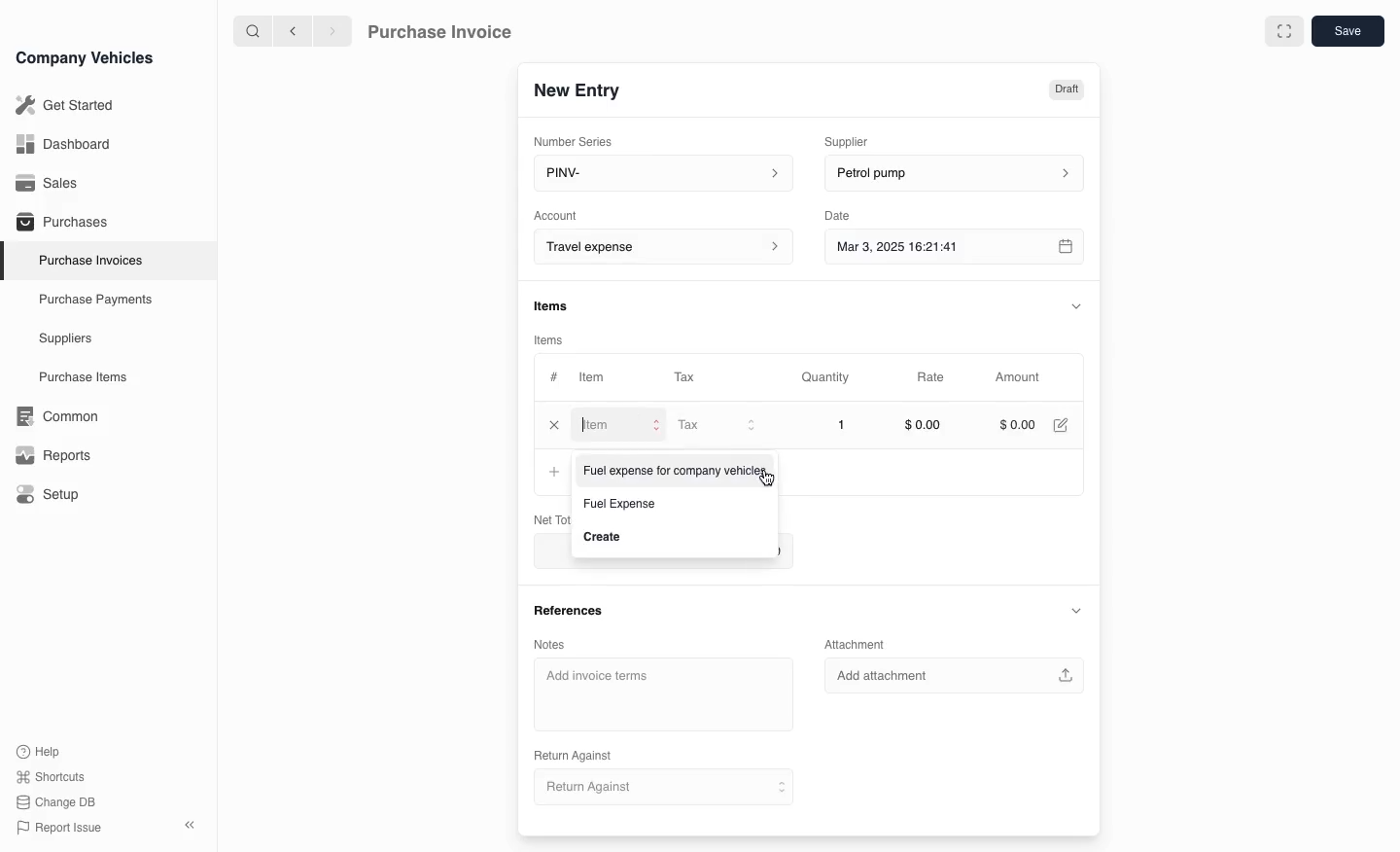  Describe the element at coordinates (827, 425) in the screenshot. I see `1` at that location.